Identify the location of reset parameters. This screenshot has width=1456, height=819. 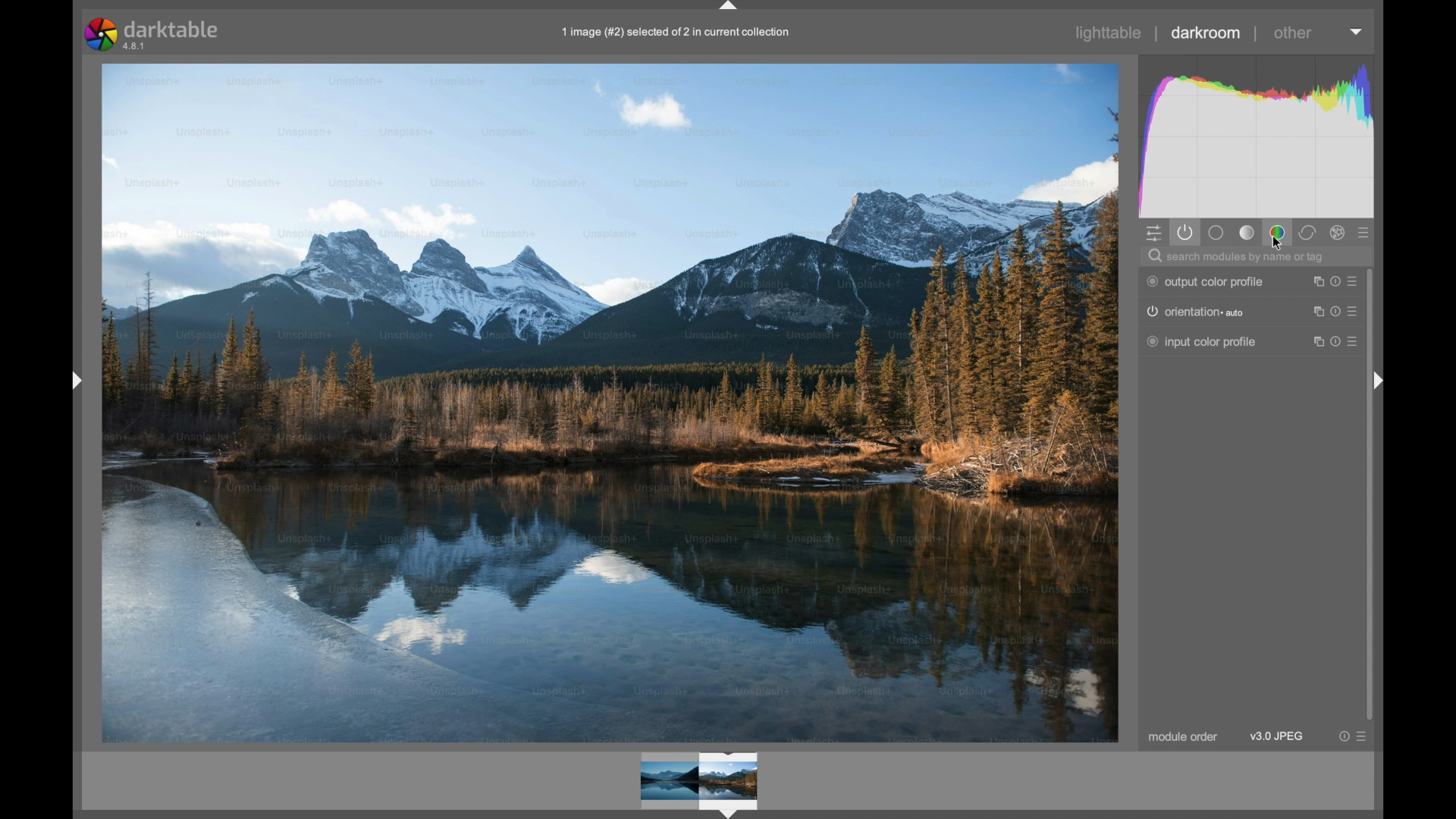
(1336, 340).